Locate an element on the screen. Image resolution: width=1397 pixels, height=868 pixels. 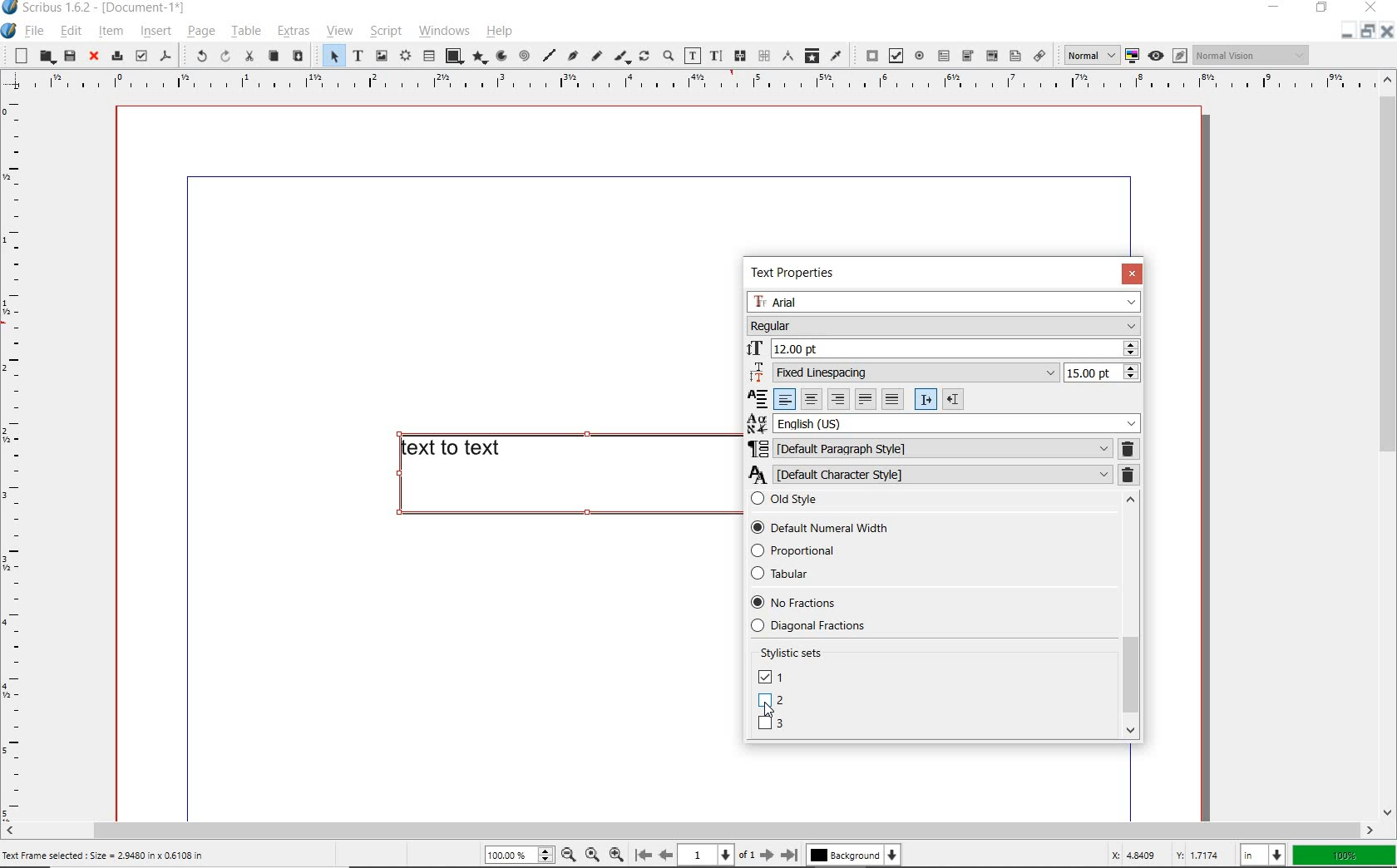
Stylistic sets is located at coordinates (803, 651).